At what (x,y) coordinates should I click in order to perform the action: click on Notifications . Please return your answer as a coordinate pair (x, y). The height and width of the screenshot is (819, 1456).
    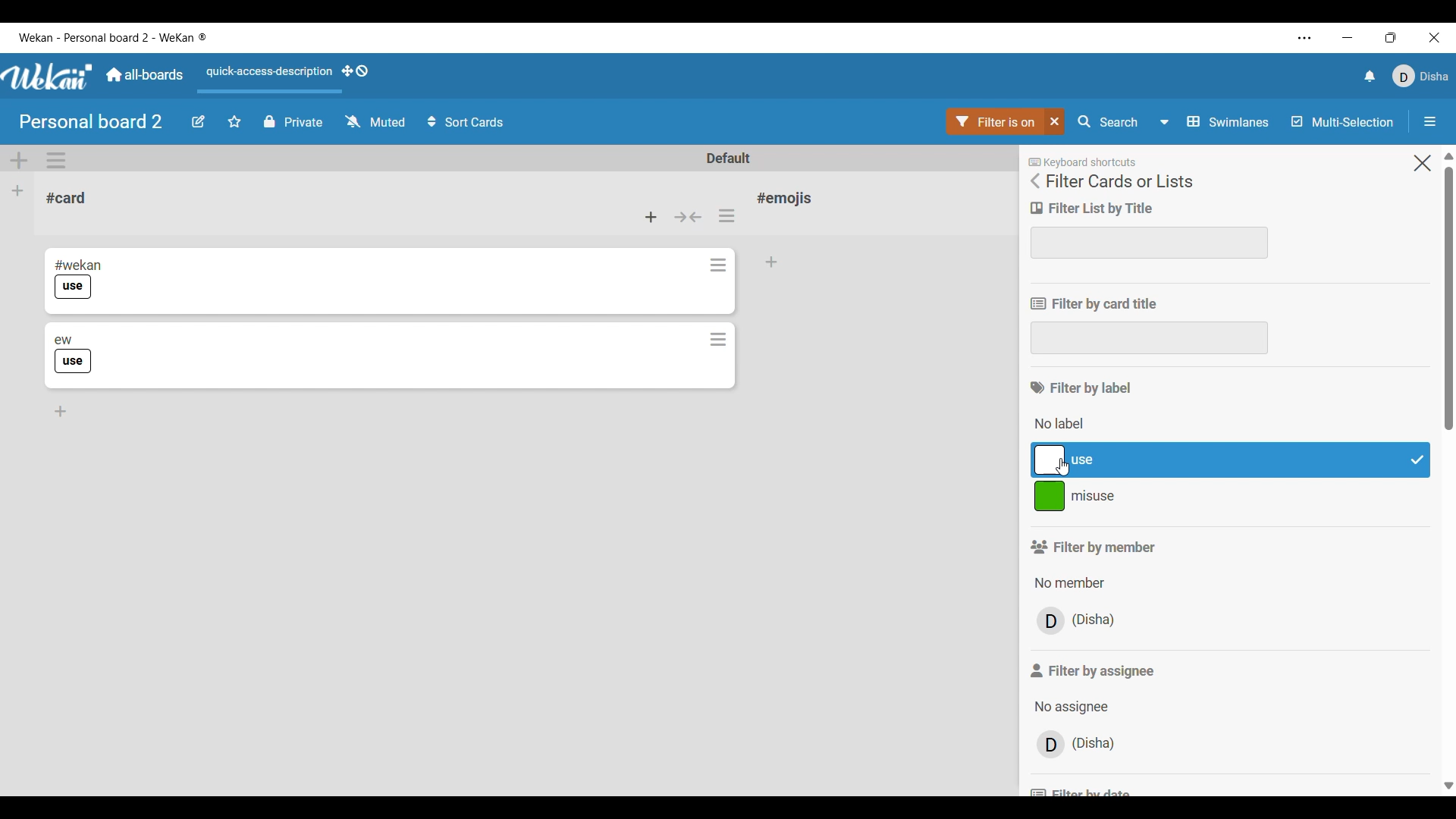
    Looking at the image, I should click on (1370, 77).